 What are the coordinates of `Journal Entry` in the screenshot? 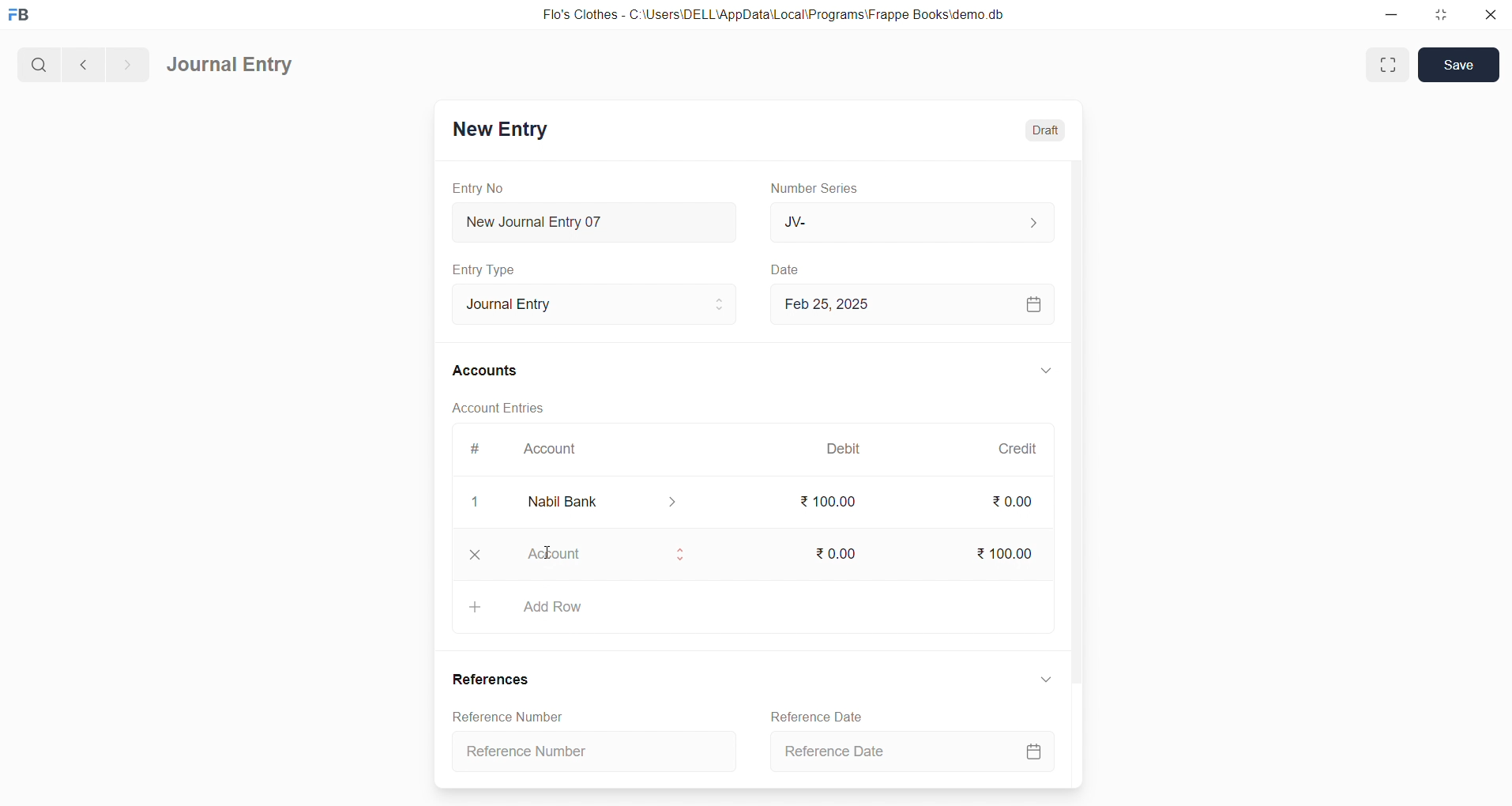 It's located at (231, 66).